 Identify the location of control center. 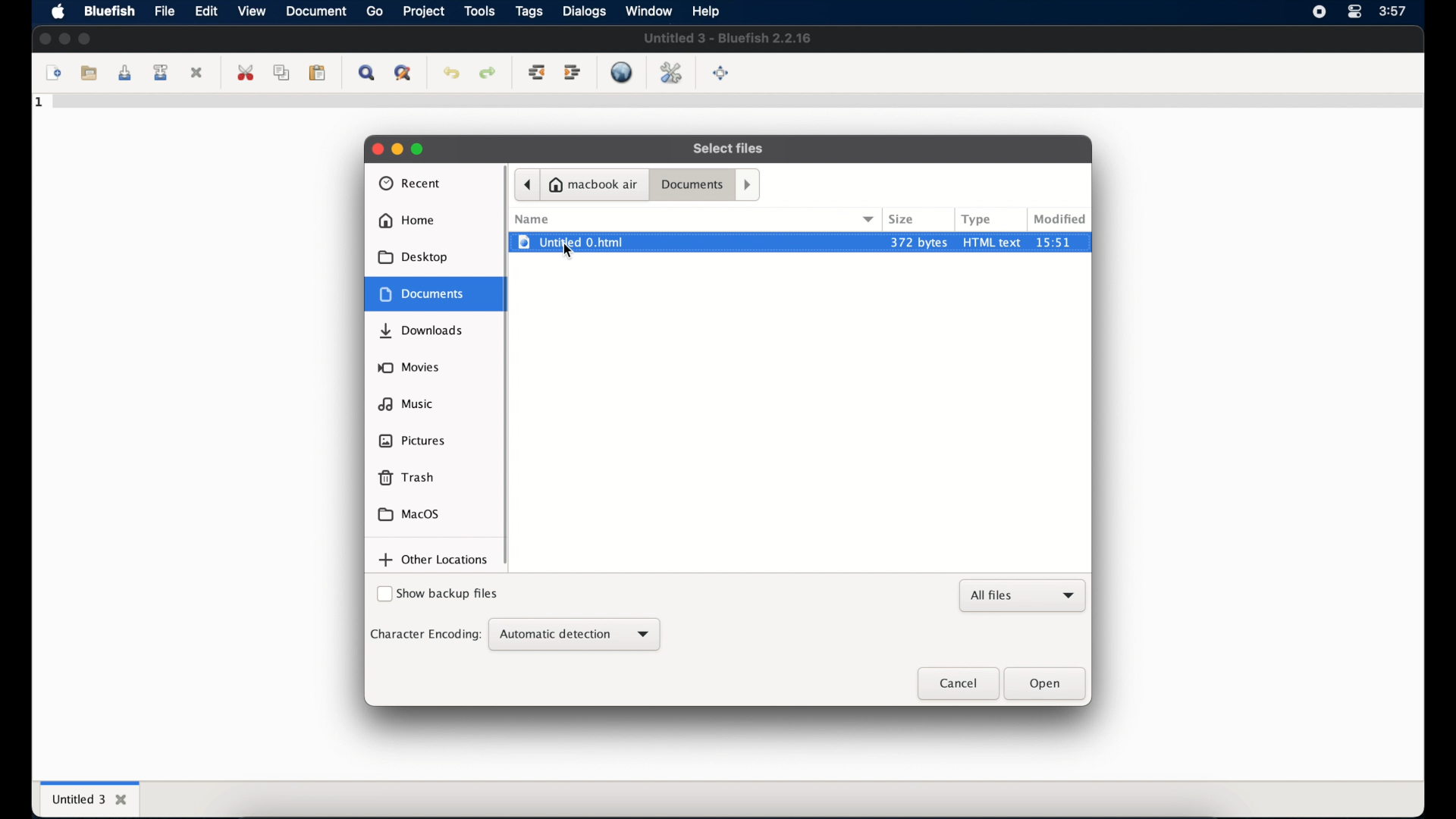
(1354, 12).